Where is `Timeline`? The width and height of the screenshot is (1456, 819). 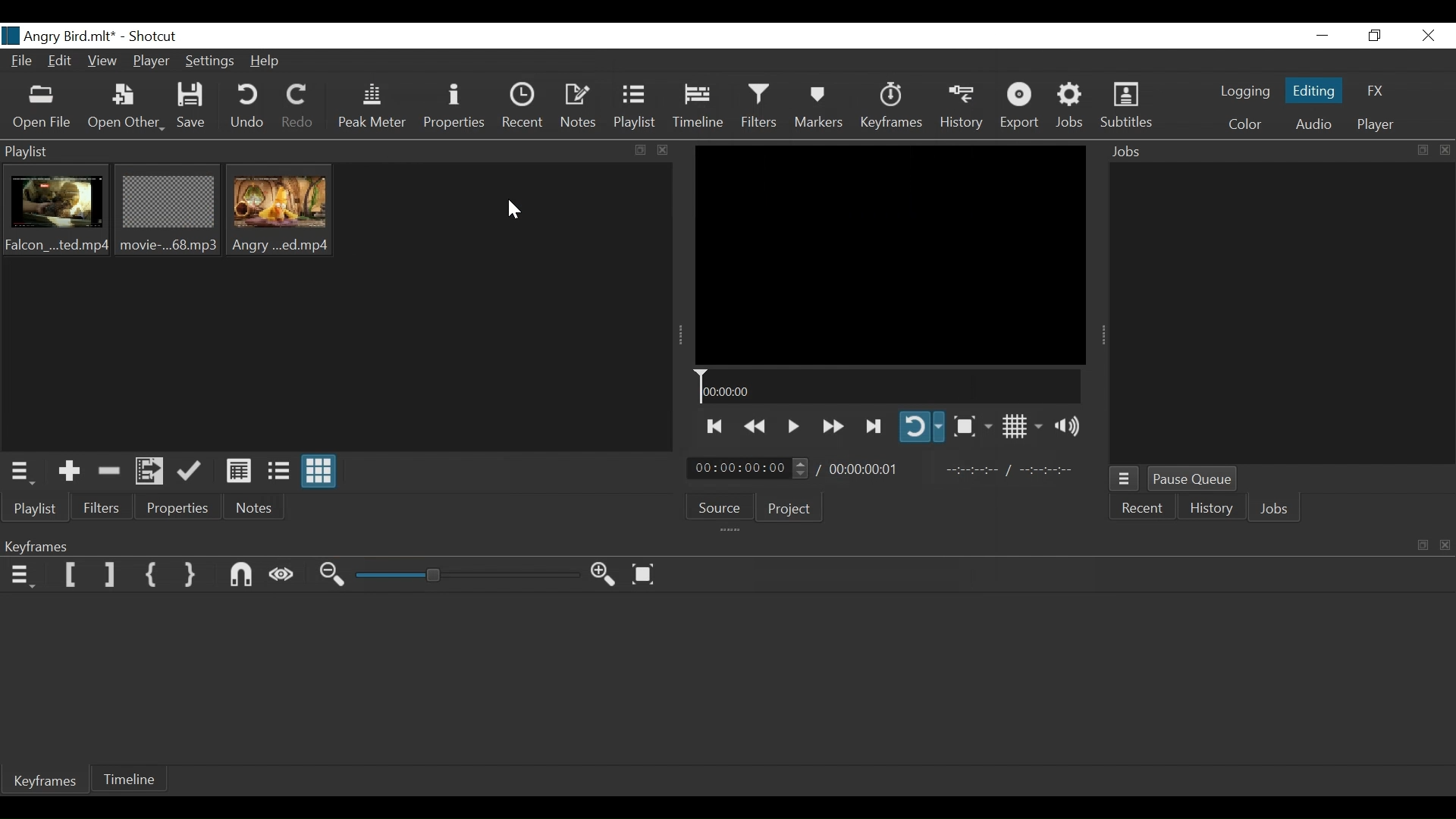 Timeline is located at coordinates (137, 777).